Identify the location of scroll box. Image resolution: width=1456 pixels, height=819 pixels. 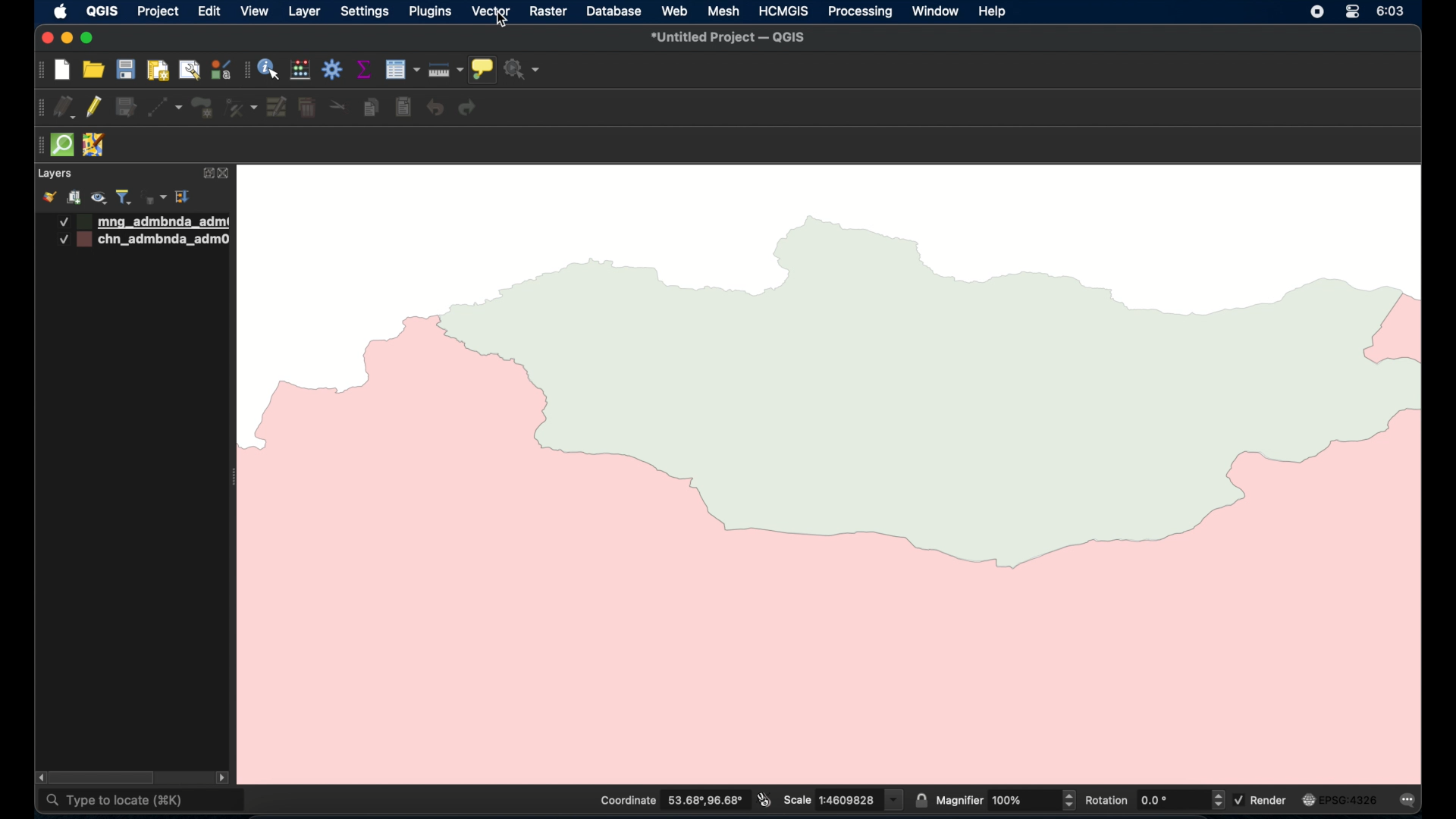
(105, 778).